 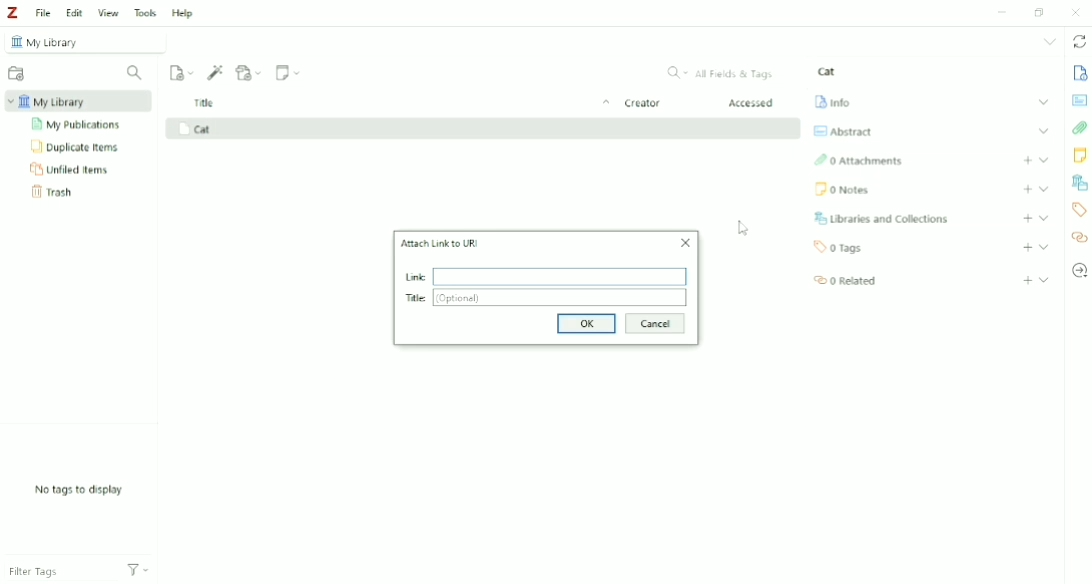 What do you see at coordinates (87, 41) in the screenshot?
I see `My Library` at bounding box center [87, 41].